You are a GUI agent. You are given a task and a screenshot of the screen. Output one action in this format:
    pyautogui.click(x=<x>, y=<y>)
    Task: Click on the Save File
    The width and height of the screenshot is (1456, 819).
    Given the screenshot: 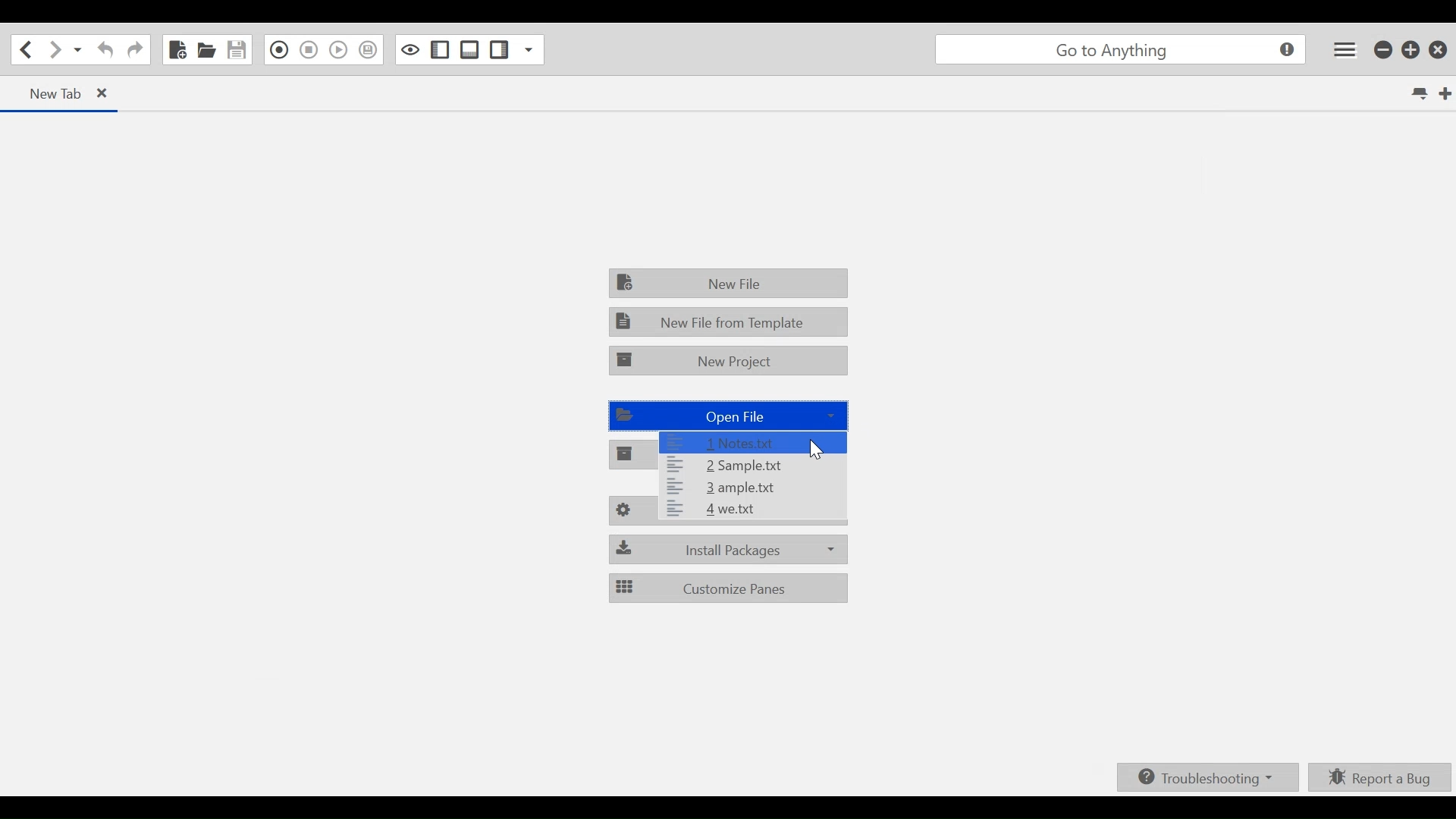 What is the action you would take?
    pyautogui.click(x=238, y=50)
    